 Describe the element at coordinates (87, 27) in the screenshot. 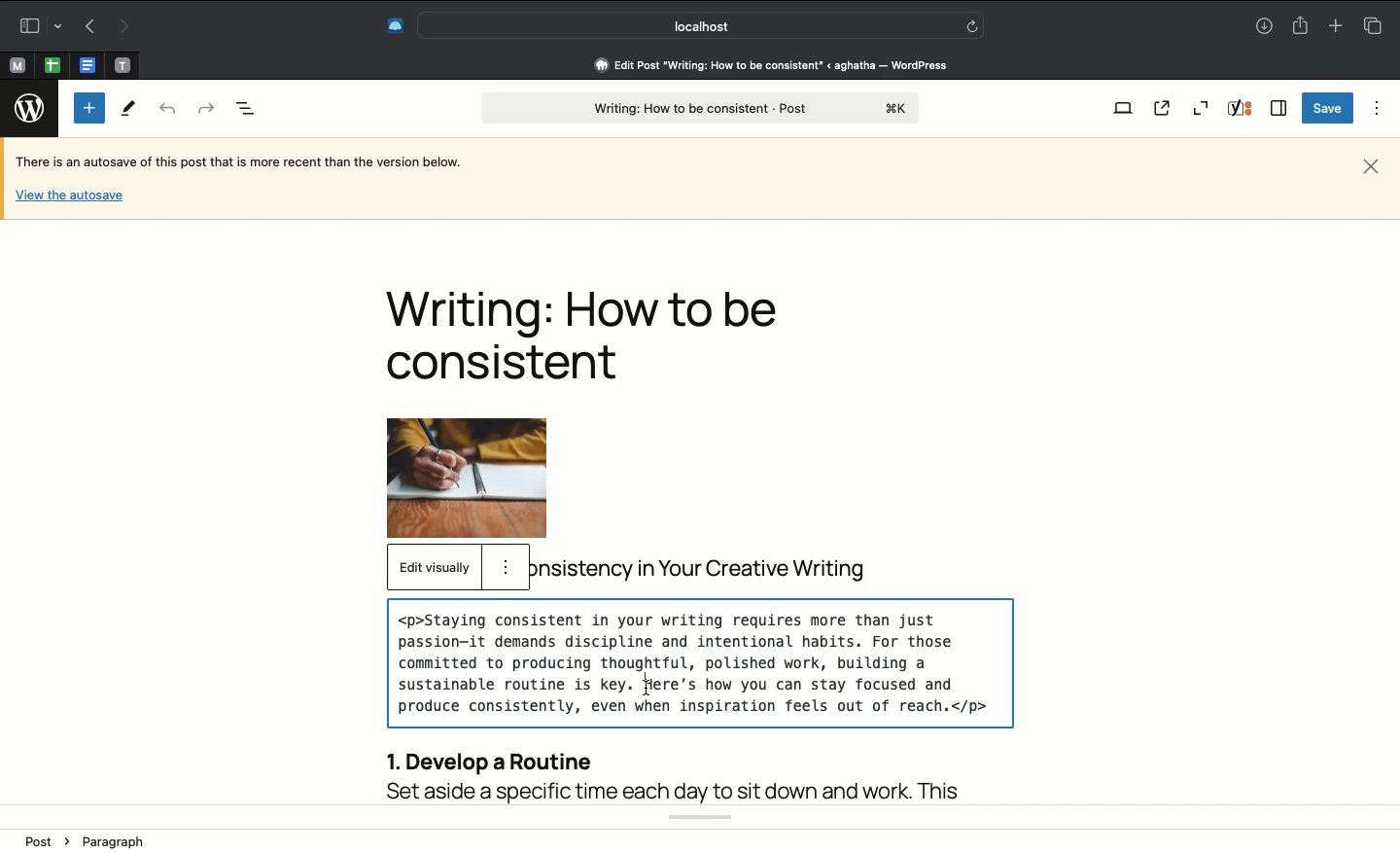

I see `Previous page` at that location.